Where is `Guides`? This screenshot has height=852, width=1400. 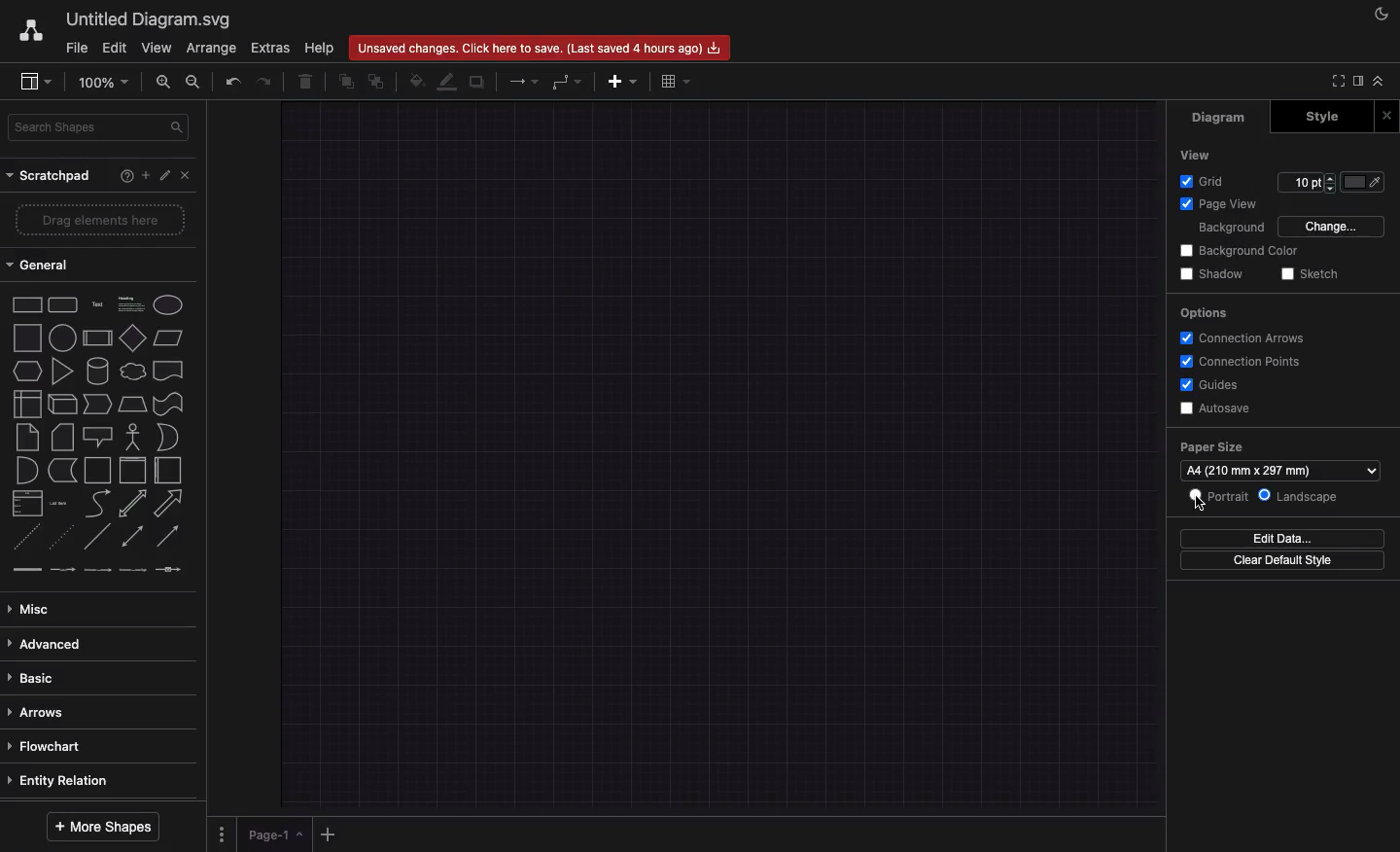
Guides is located at coordinates (1210, 386).